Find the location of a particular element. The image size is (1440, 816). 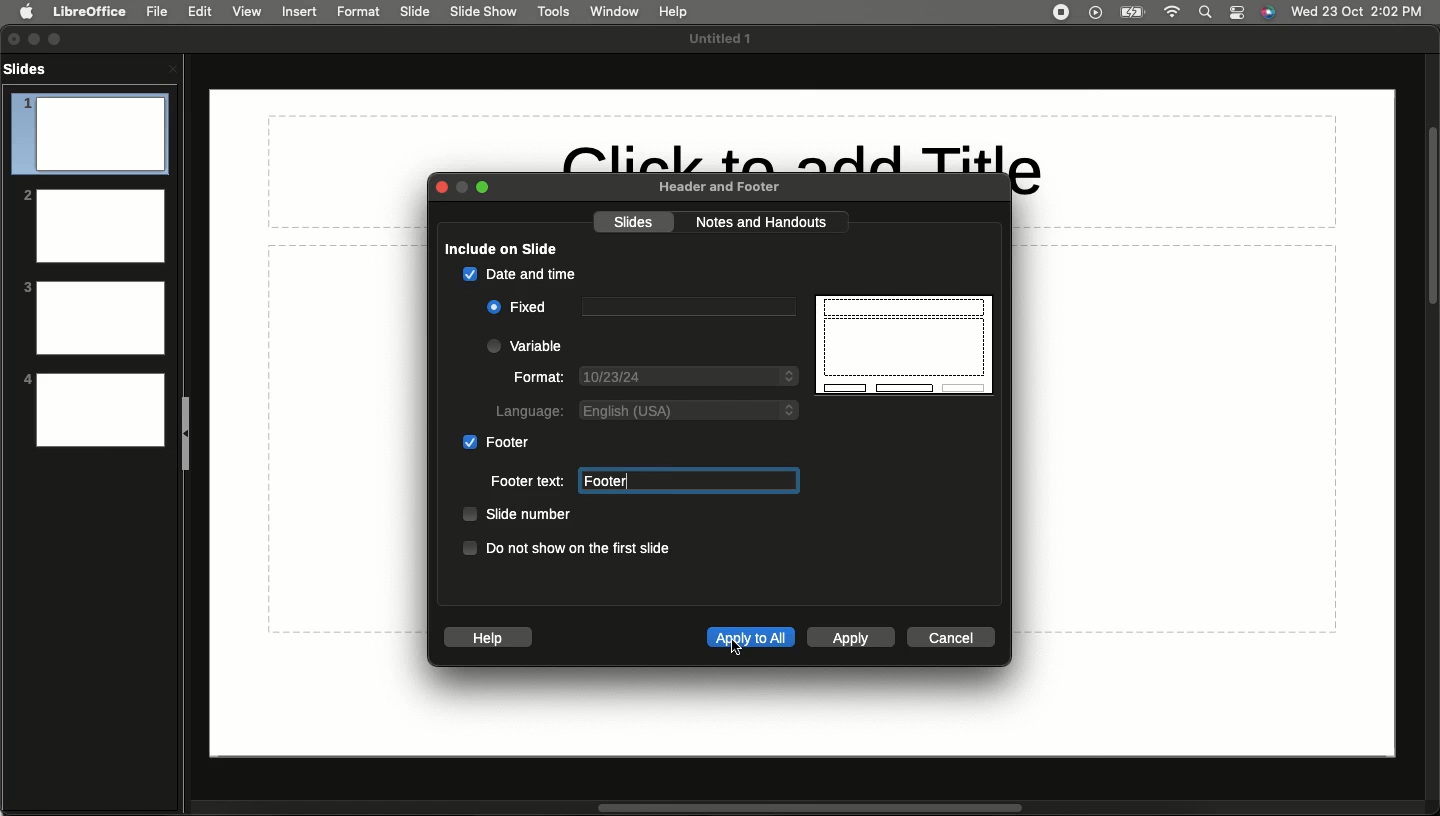

Apple logo is located at coordinates (27, 12).